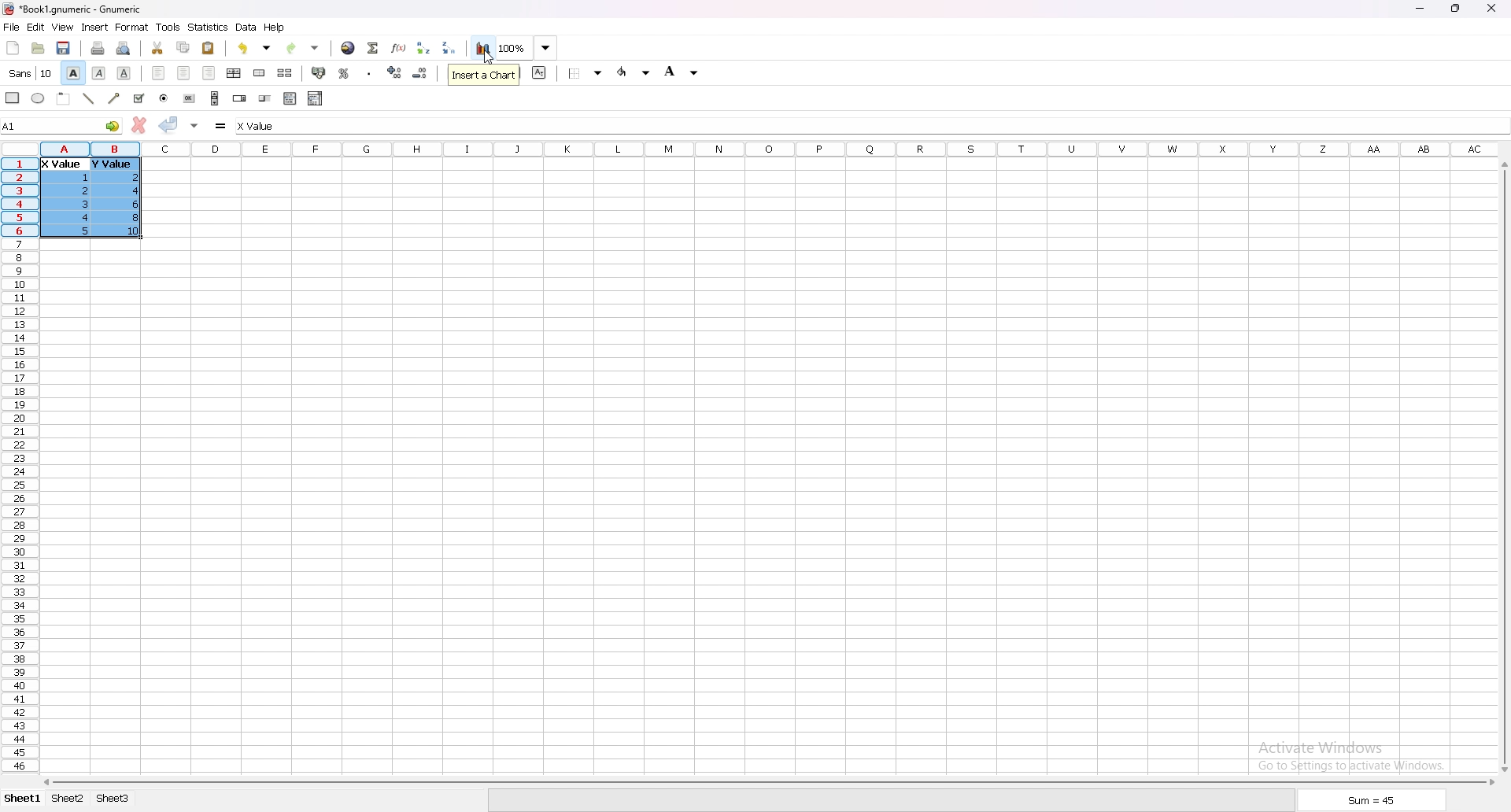  Describe the element at coordinates (72, 9) in the screenshot. I see `file name` at that location.